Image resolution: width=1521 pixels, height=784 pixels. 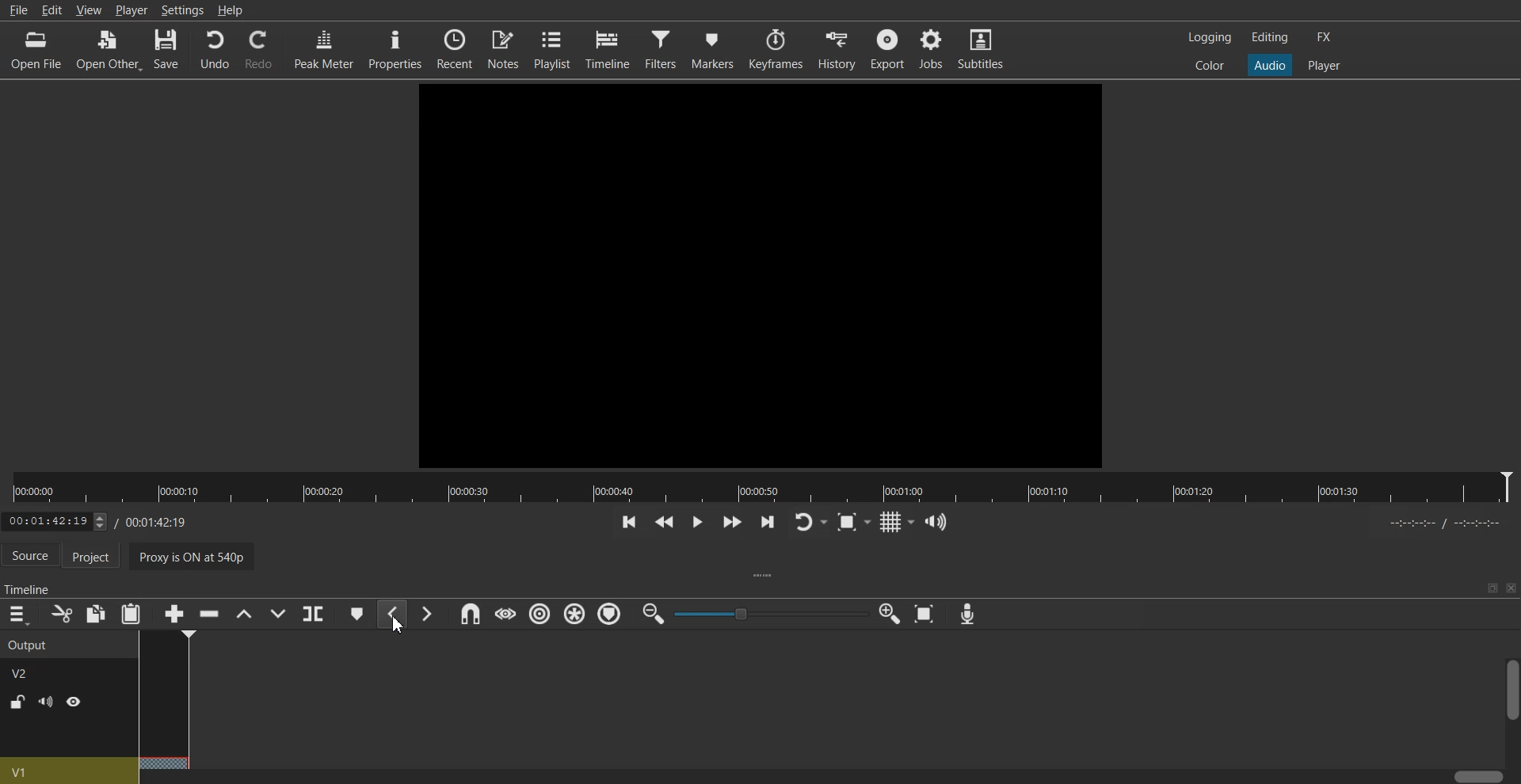 What do you see at coordinates (1511, 588) in the screenshot?
I see `Close` at bounding box center [1511, 588].